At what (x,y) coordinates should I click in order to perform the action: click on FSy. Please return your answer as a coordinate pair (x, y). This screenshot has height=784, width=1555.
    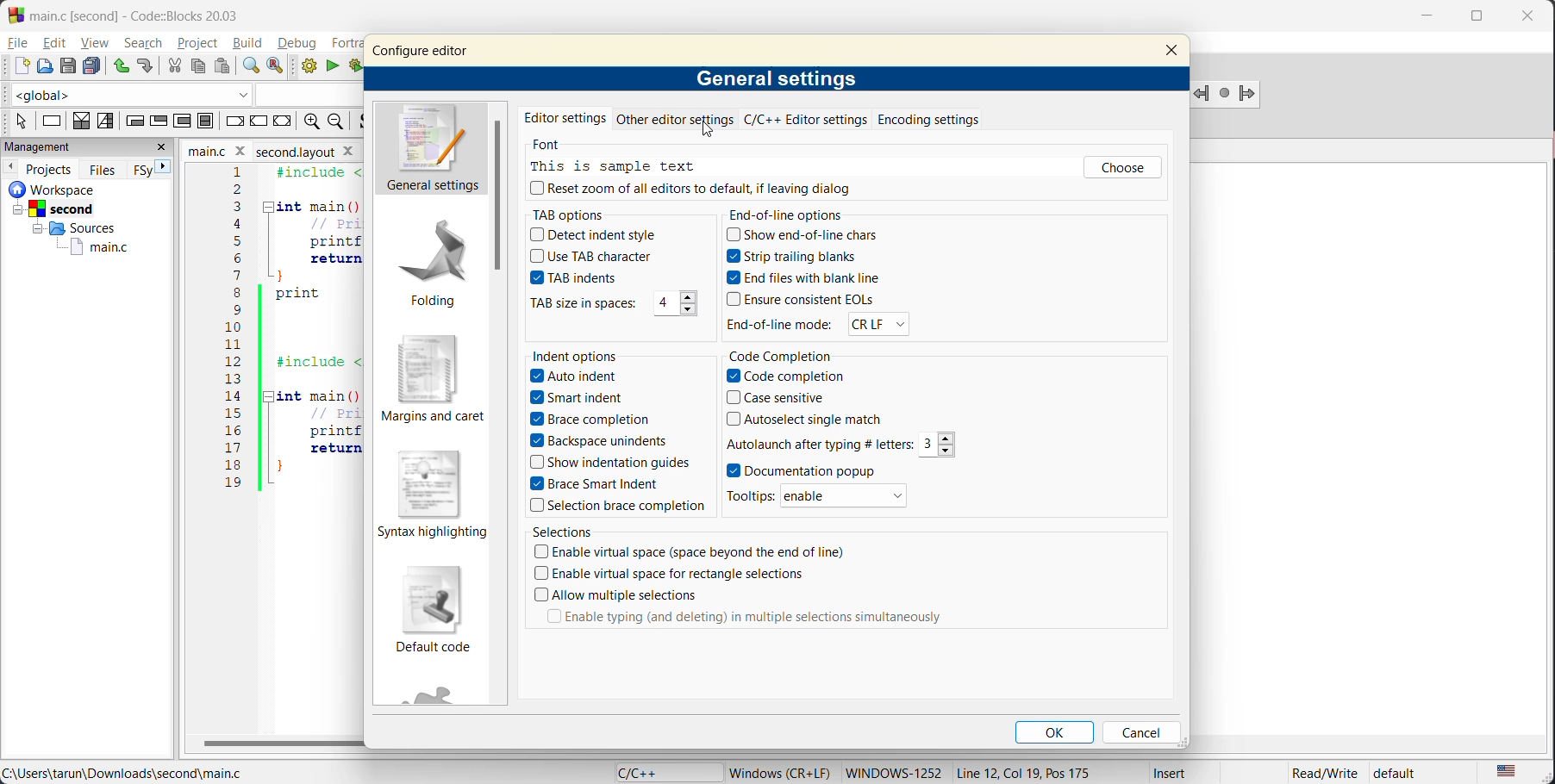
    Looking at the image, I should click on (142, 169).